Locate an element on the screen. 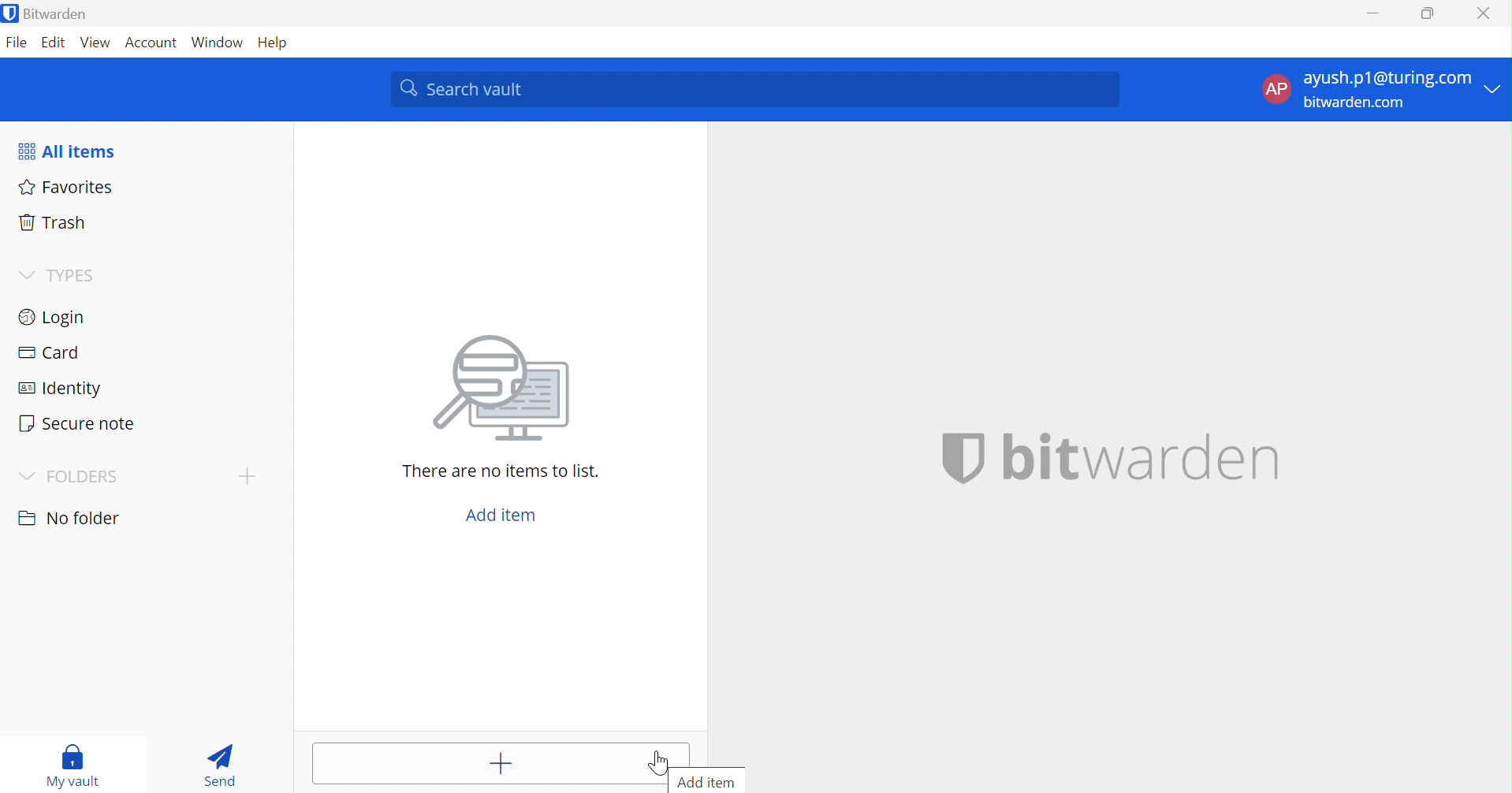 Image resolution: width=1512 pixels, height=793 pixels. File is located at coordinates (17, 45).